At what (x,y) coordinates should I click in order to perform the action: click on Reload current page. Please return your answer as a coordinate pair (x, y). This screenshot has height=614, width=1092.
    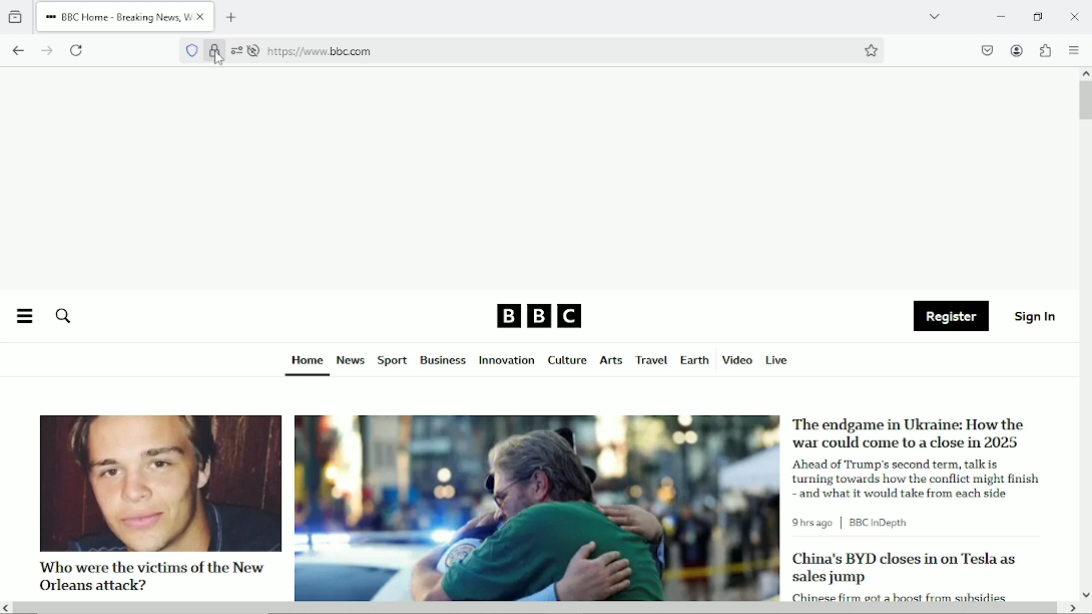
    Looking at the image, I should click on (79, 49).